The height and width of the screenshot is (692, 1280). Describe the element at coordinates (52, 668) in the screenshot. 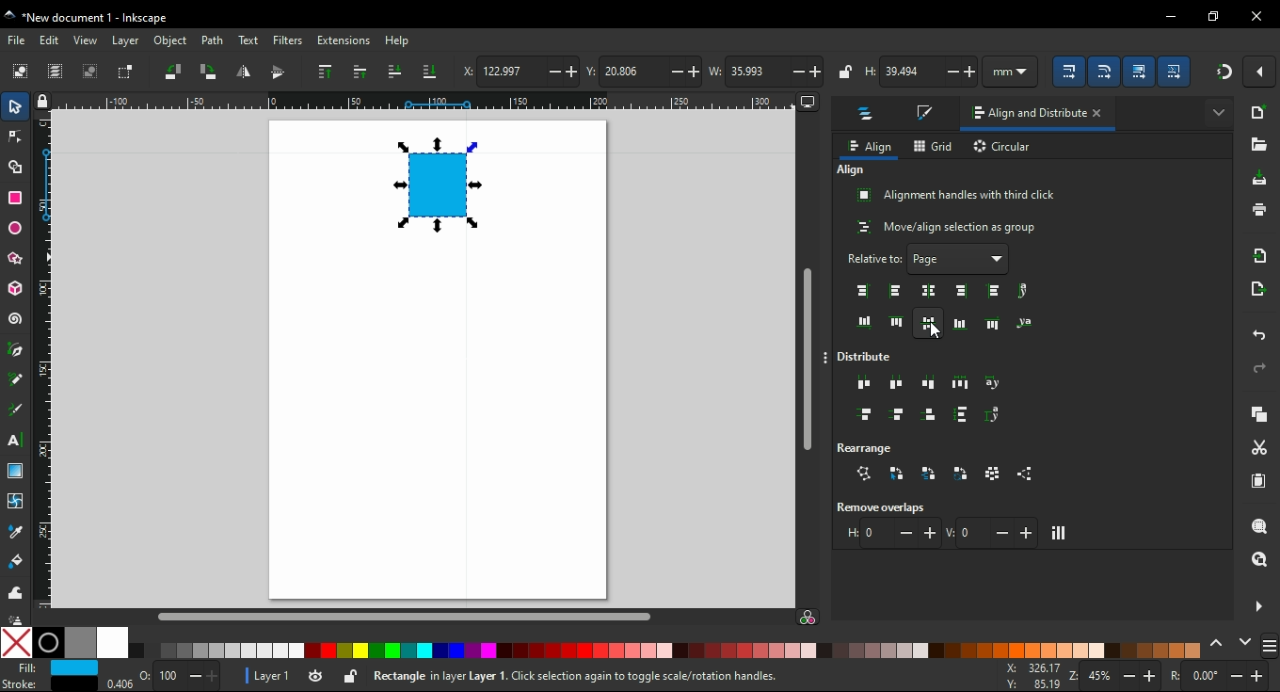

I see `fill color` at that location.